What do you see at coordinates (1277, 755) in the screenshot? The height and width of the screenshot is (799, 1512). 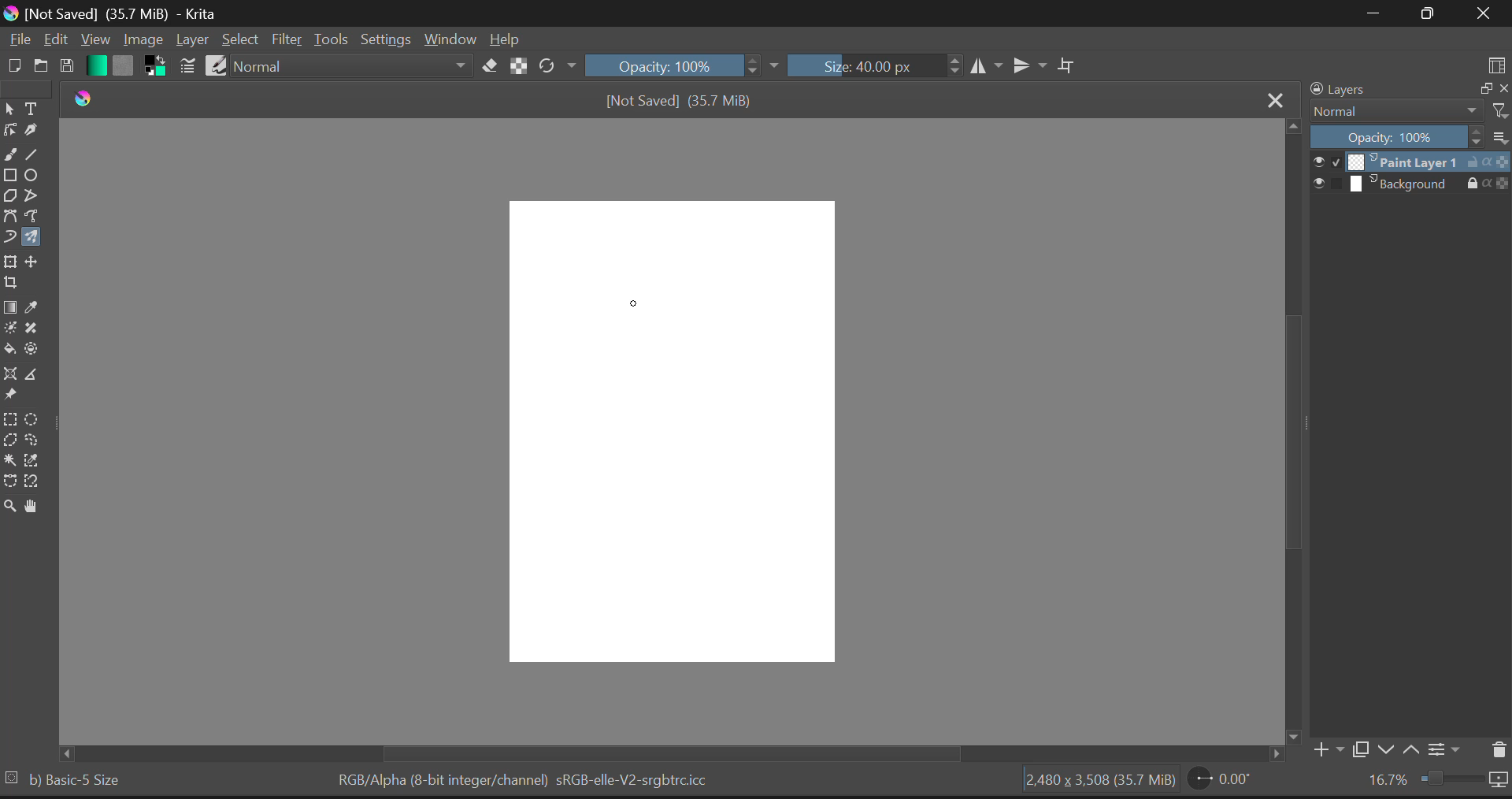 I see `` at bounding box center [1277, 755].